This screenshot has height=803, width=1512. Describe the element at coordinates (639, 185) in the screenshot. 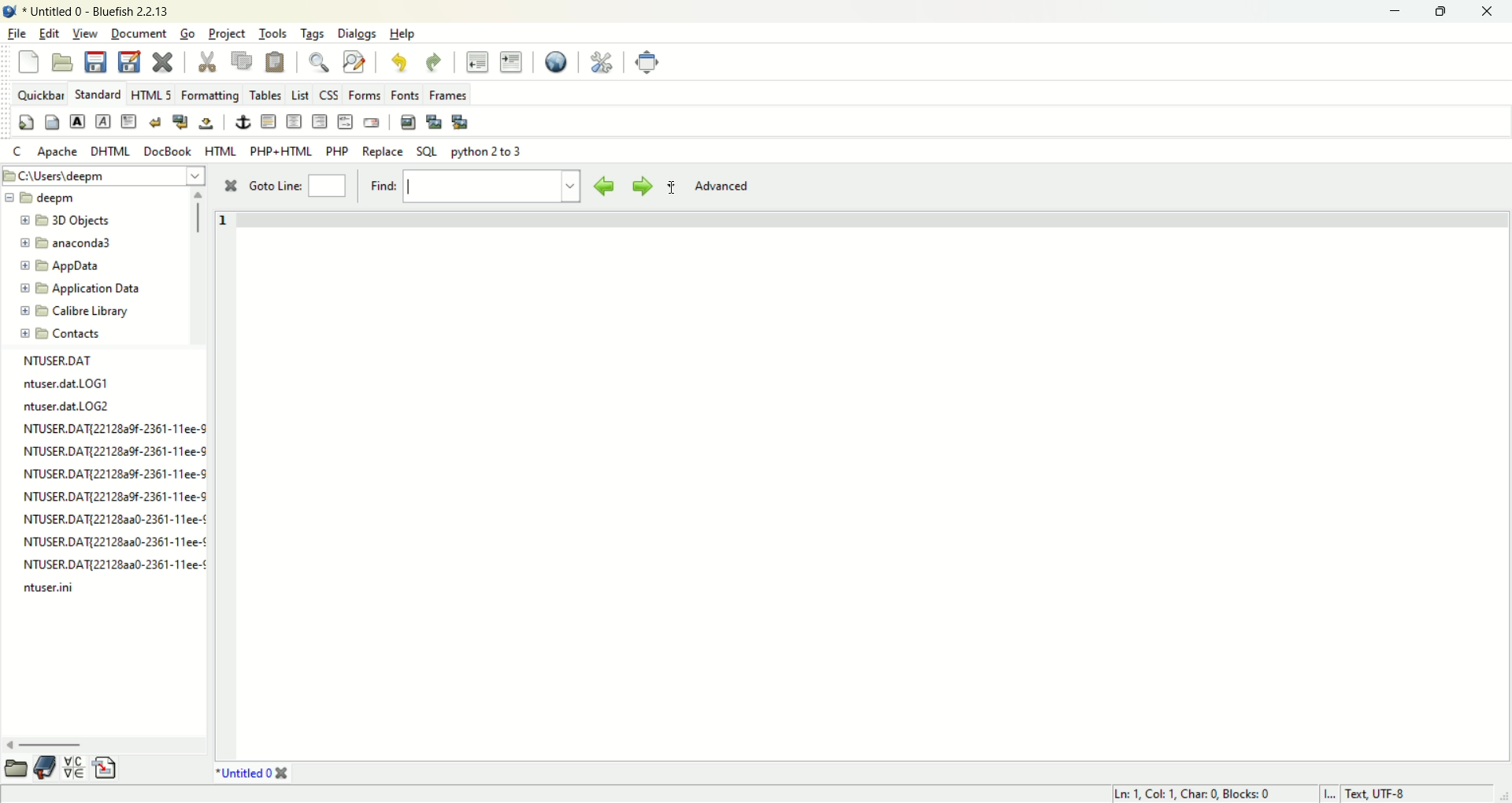

I see `next` at that location.